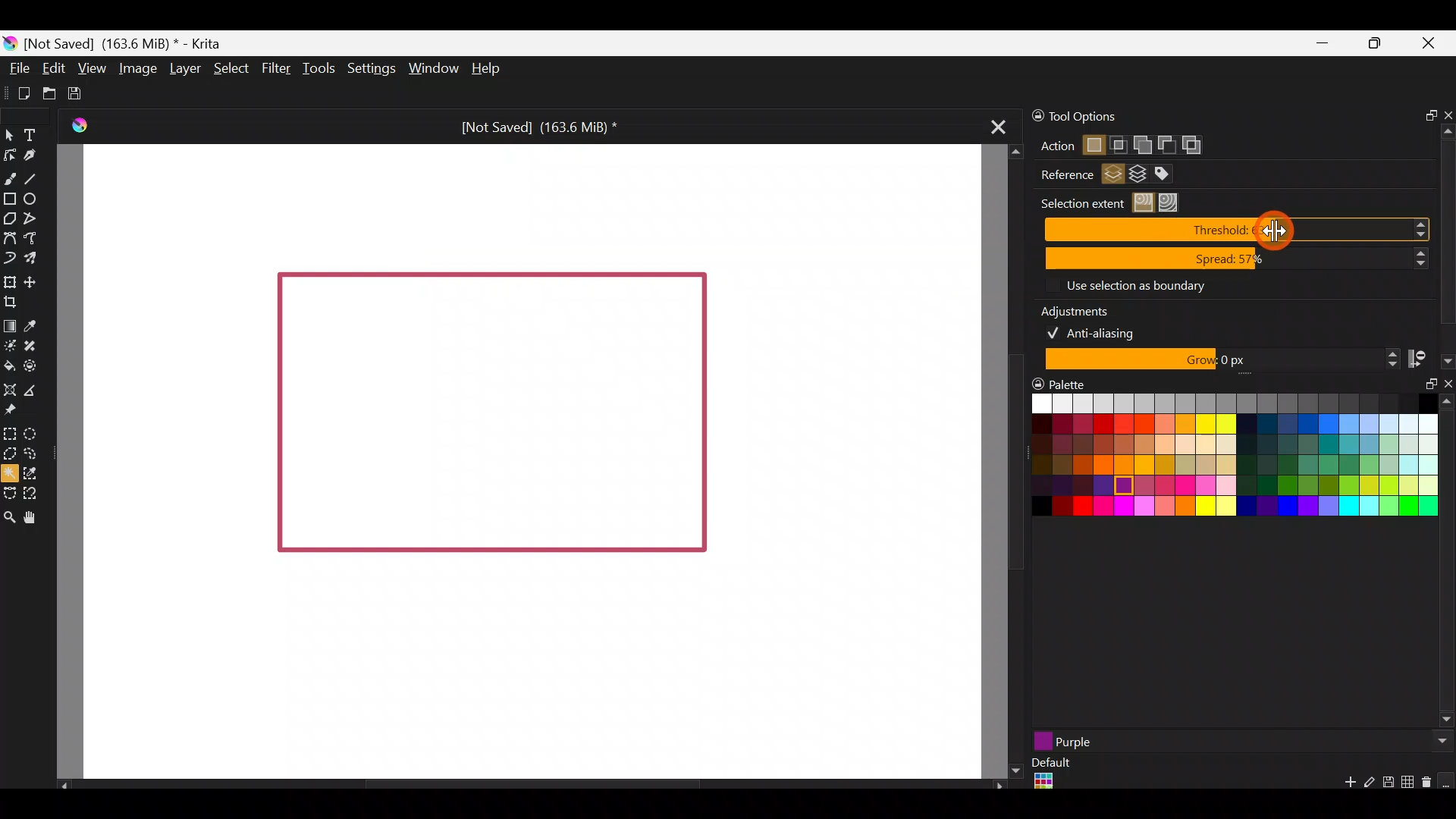  What do you see at coordinates (1119, 142) in the screenshot?
I see `Intersect` at bounding box center [1119, 142].